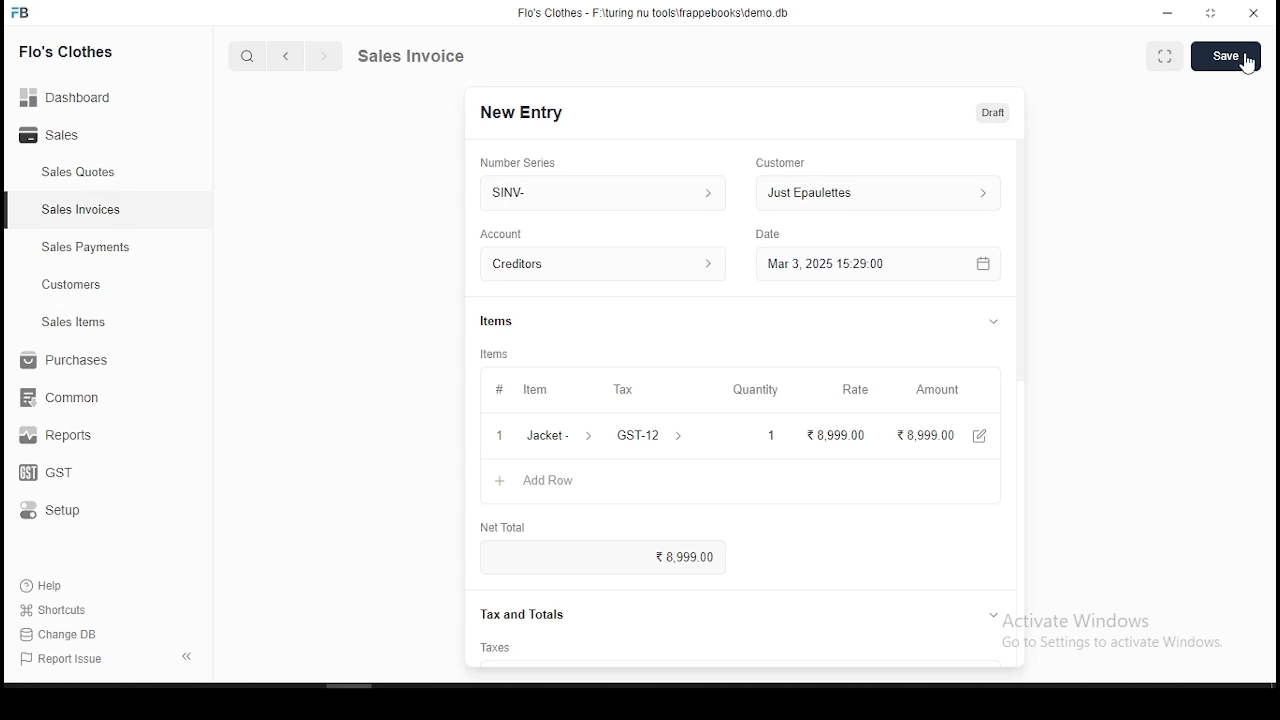 The width and height of the screenshot is (1280, 720). What do you see at coordinates (63, 474) in the screenshot?
I see `GST` at bounding box center [63, 474].